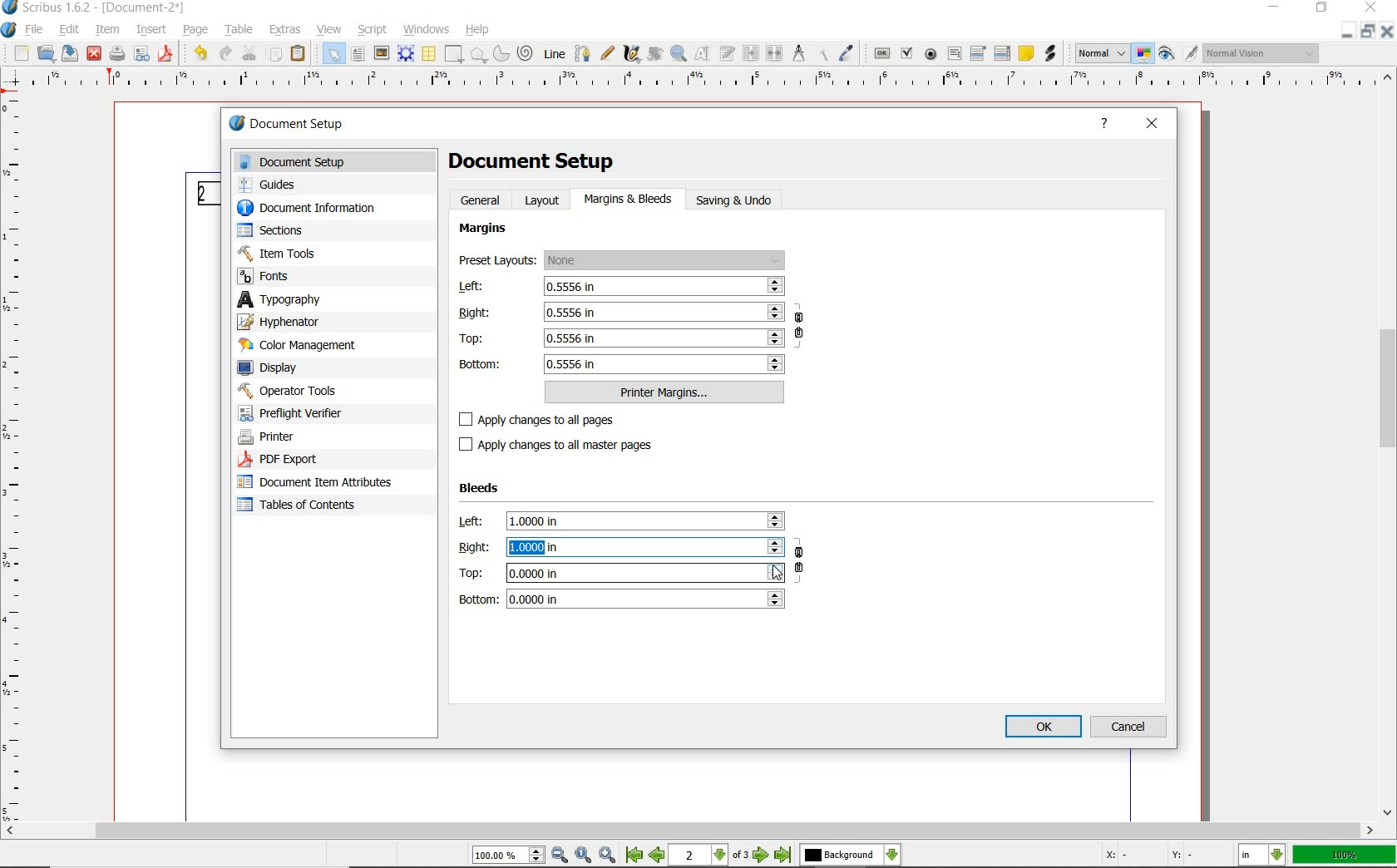 This screenshot has width=1397, height=868. What do you see at coordinates (823, 55) in the screenshot?
I see `copy item properties` at bounding box center [823, 55].